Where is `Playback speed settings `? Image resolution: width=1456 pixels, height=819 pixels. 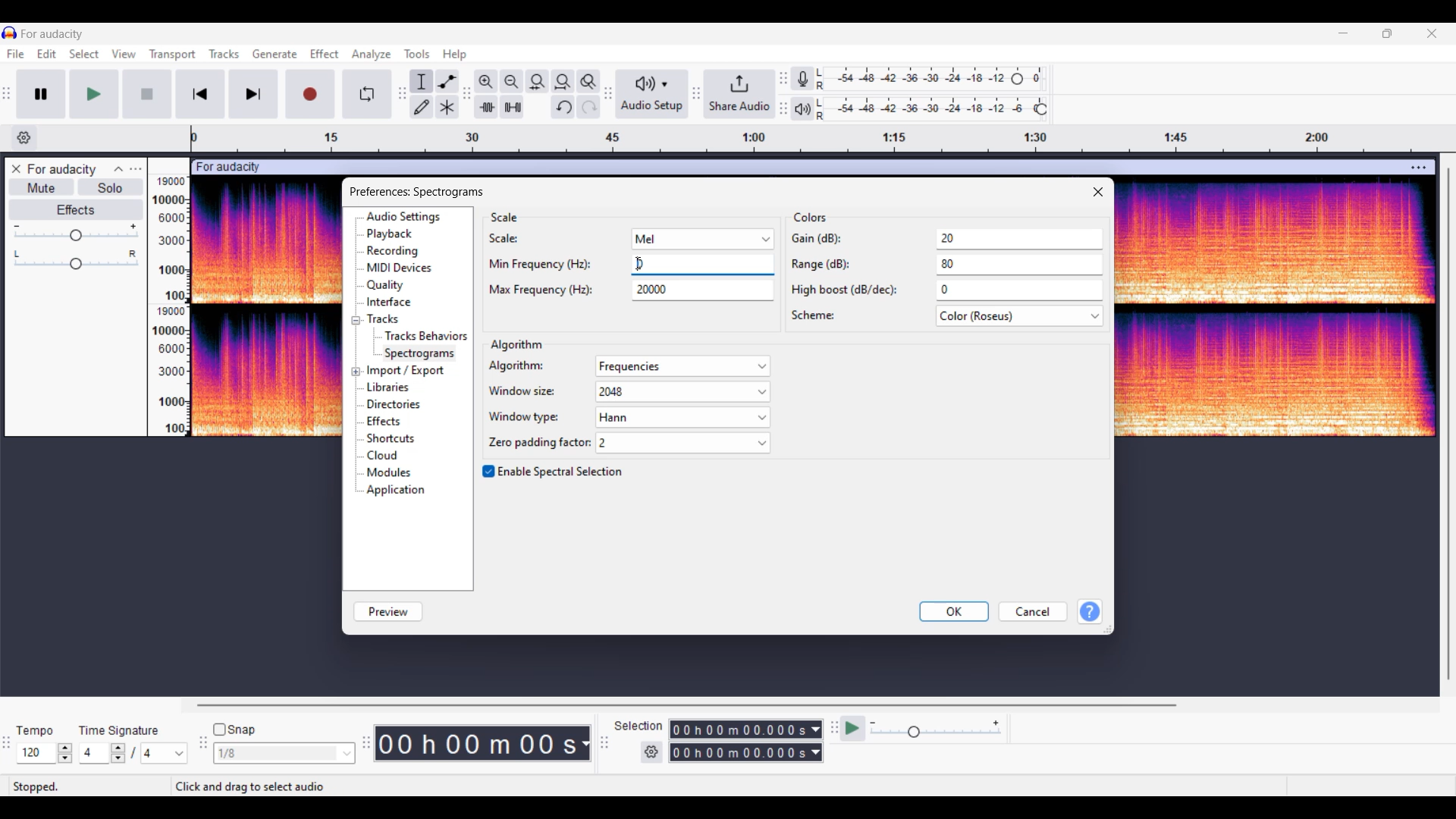 Playback speed settings  is located at coordinates (922, 728).